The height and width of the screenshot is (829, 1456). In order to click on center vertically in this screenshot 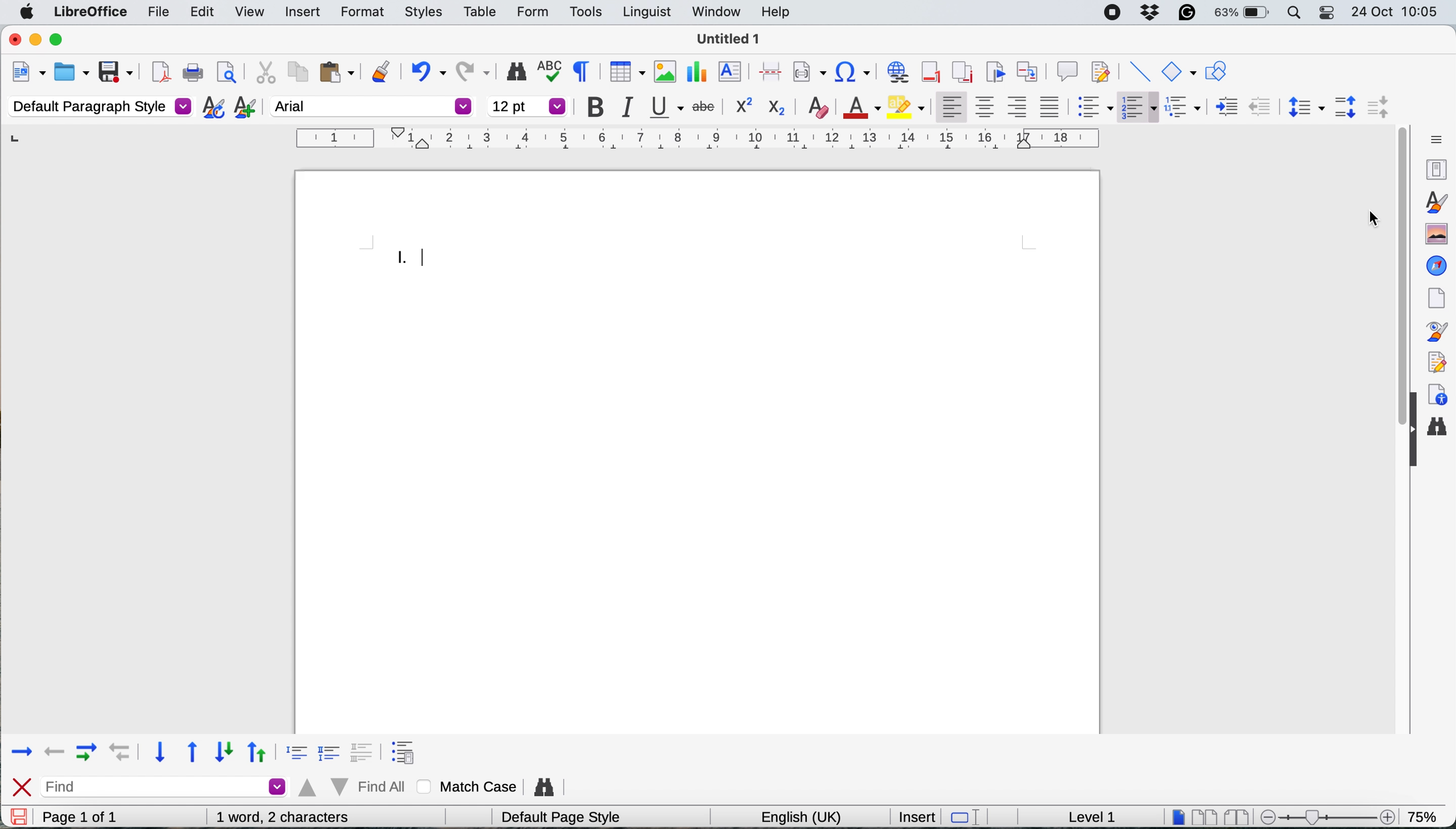, I will do `click(985, 106)`.